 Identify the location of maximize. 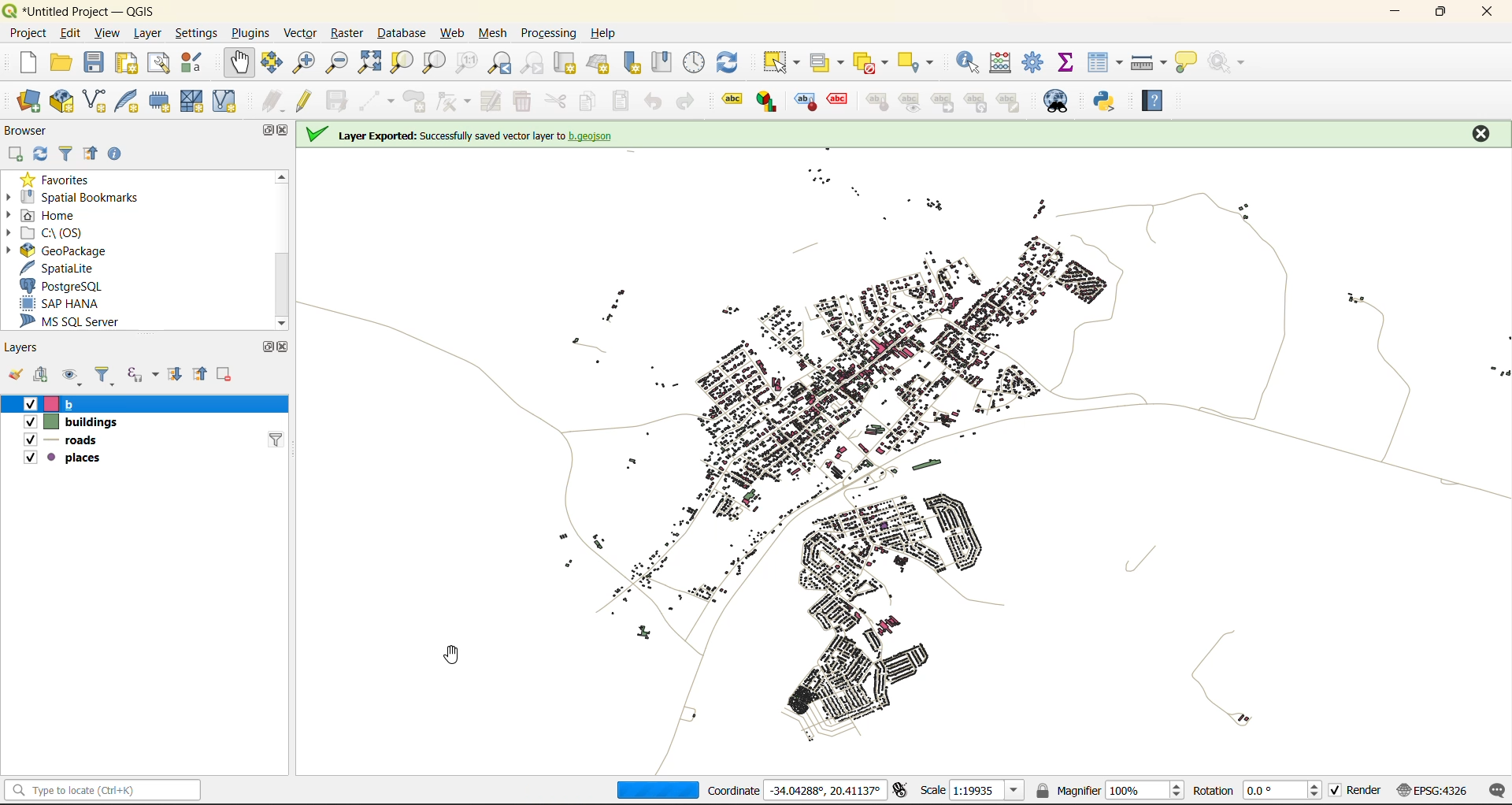
(273, 129).